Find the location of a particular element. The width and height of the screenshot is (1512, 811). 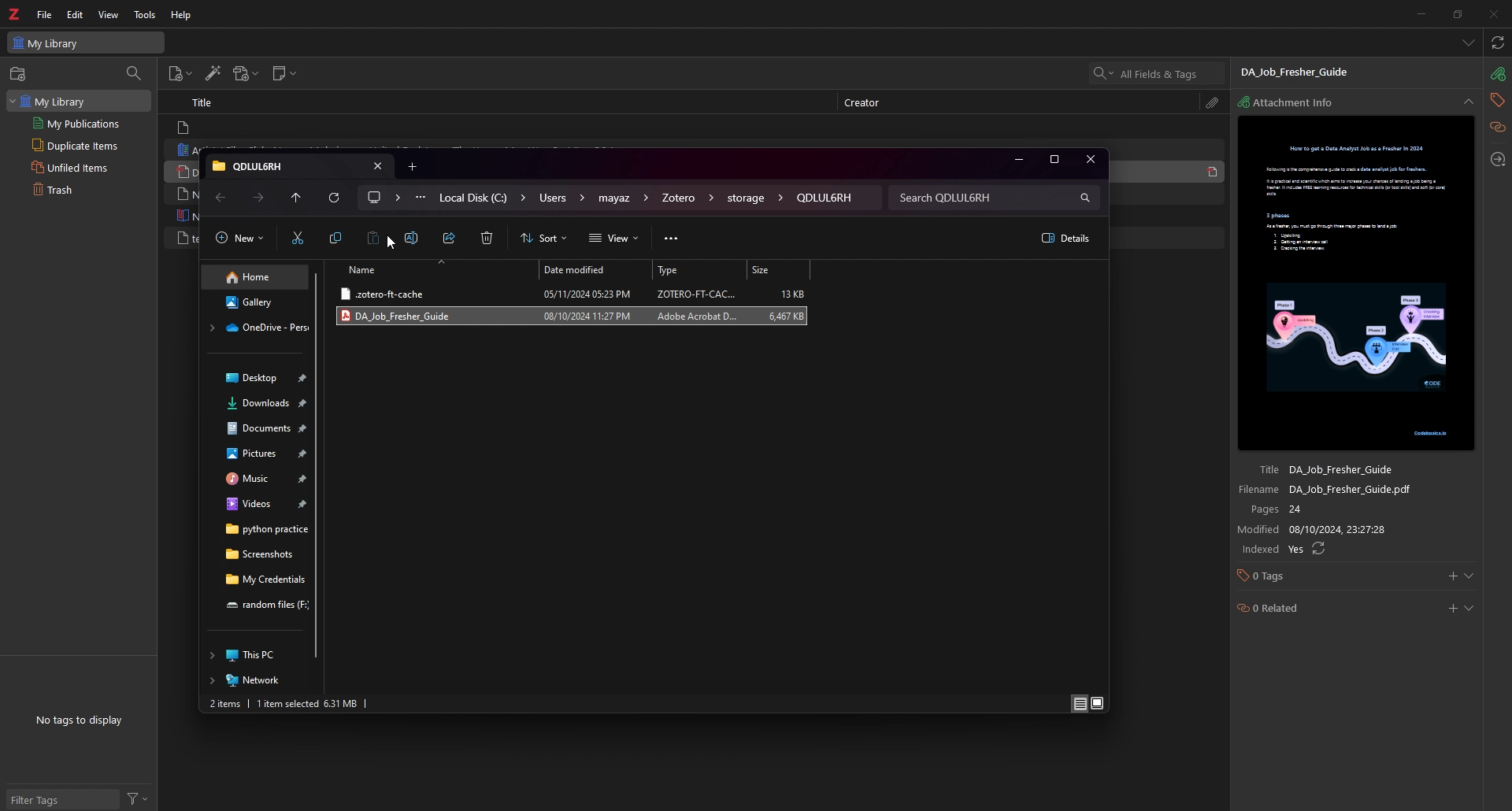

new is located at coordinates (239, 241).